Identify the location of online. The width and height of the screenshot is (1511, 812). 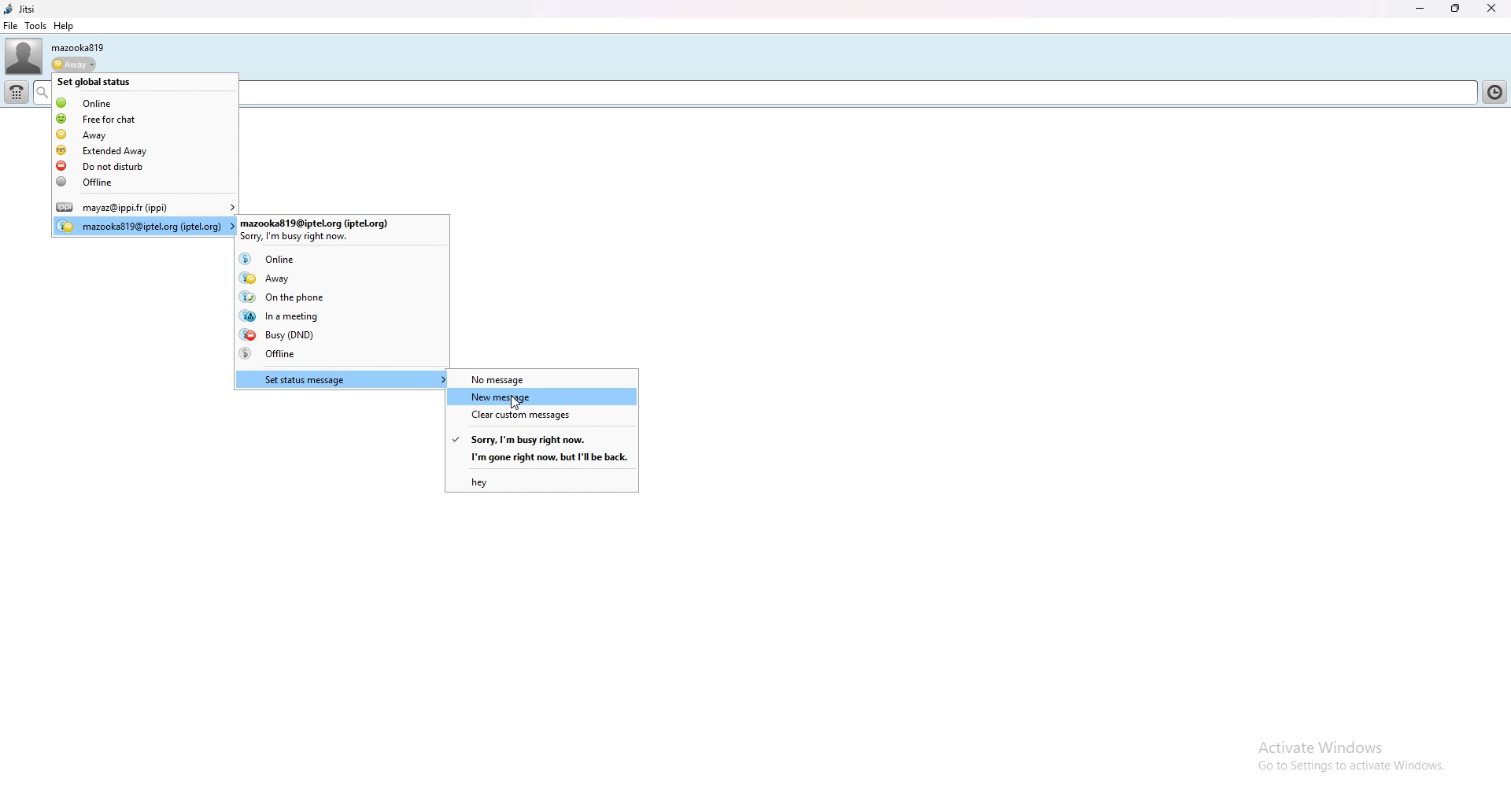
(146, 101).